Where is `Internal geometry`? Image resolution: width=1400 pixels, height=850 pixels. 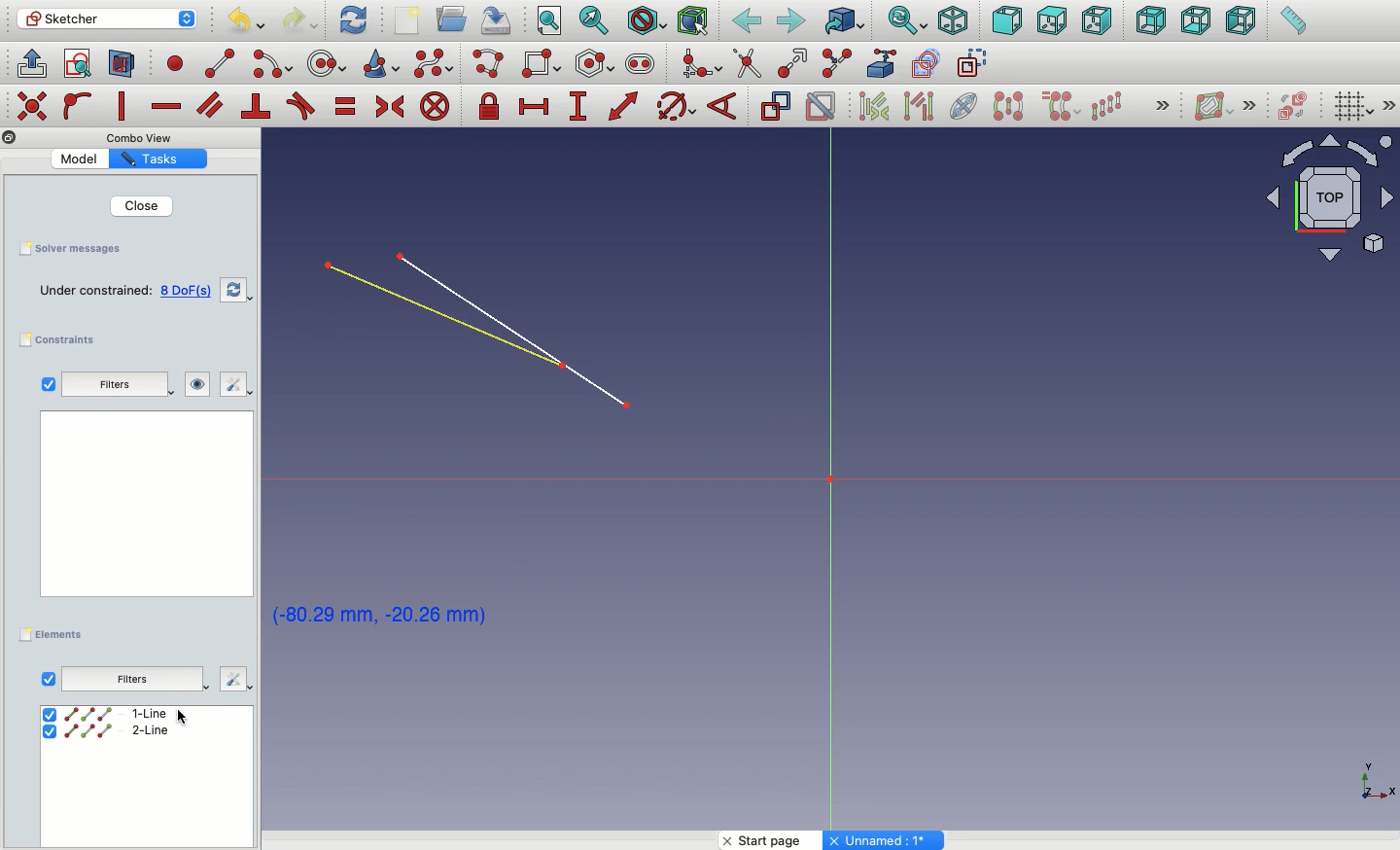 Internal geometry is located at coordinates (965, 105).